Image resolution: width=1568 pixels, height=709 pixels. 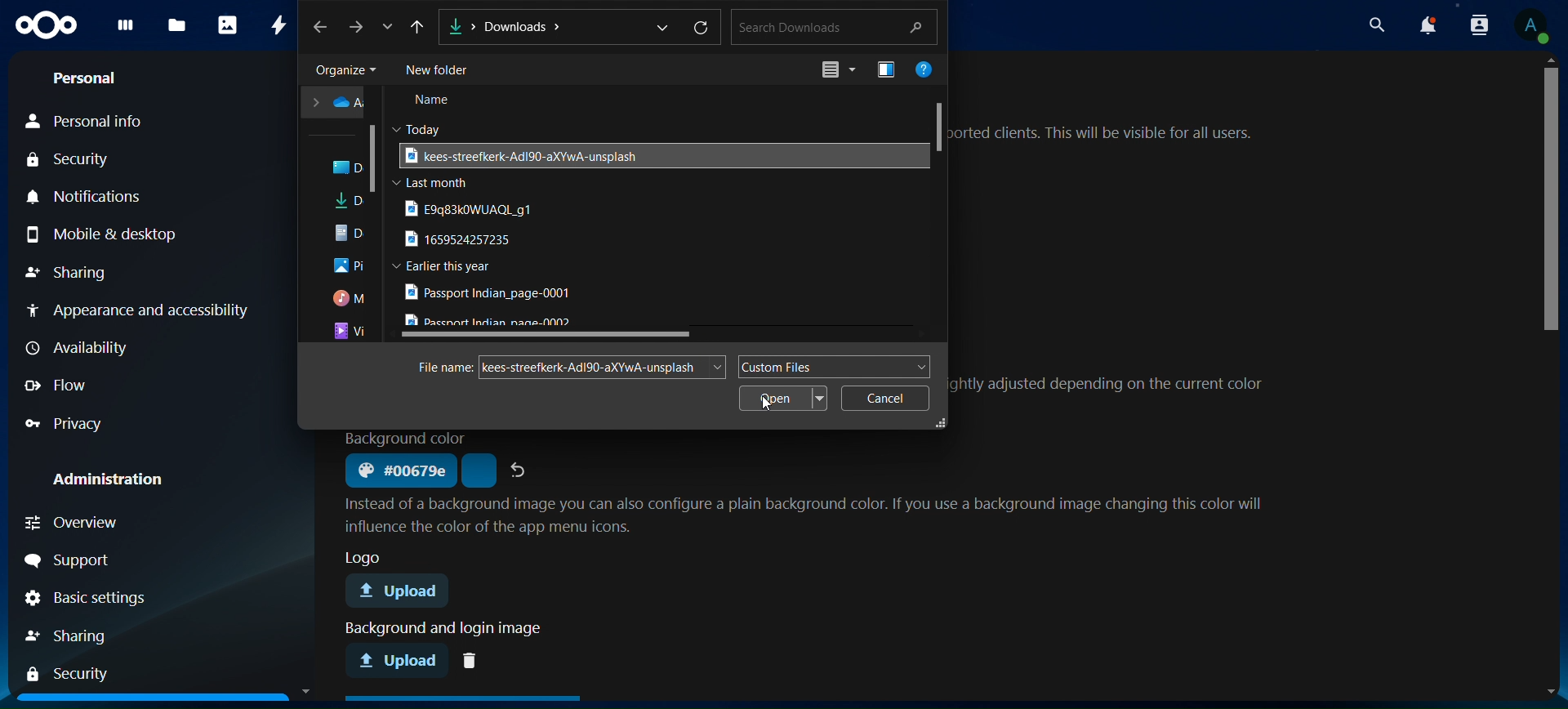 What do you see at coordinates (74, 386) in the screenshot?
I see `flow` at bounding box center [74, 386].